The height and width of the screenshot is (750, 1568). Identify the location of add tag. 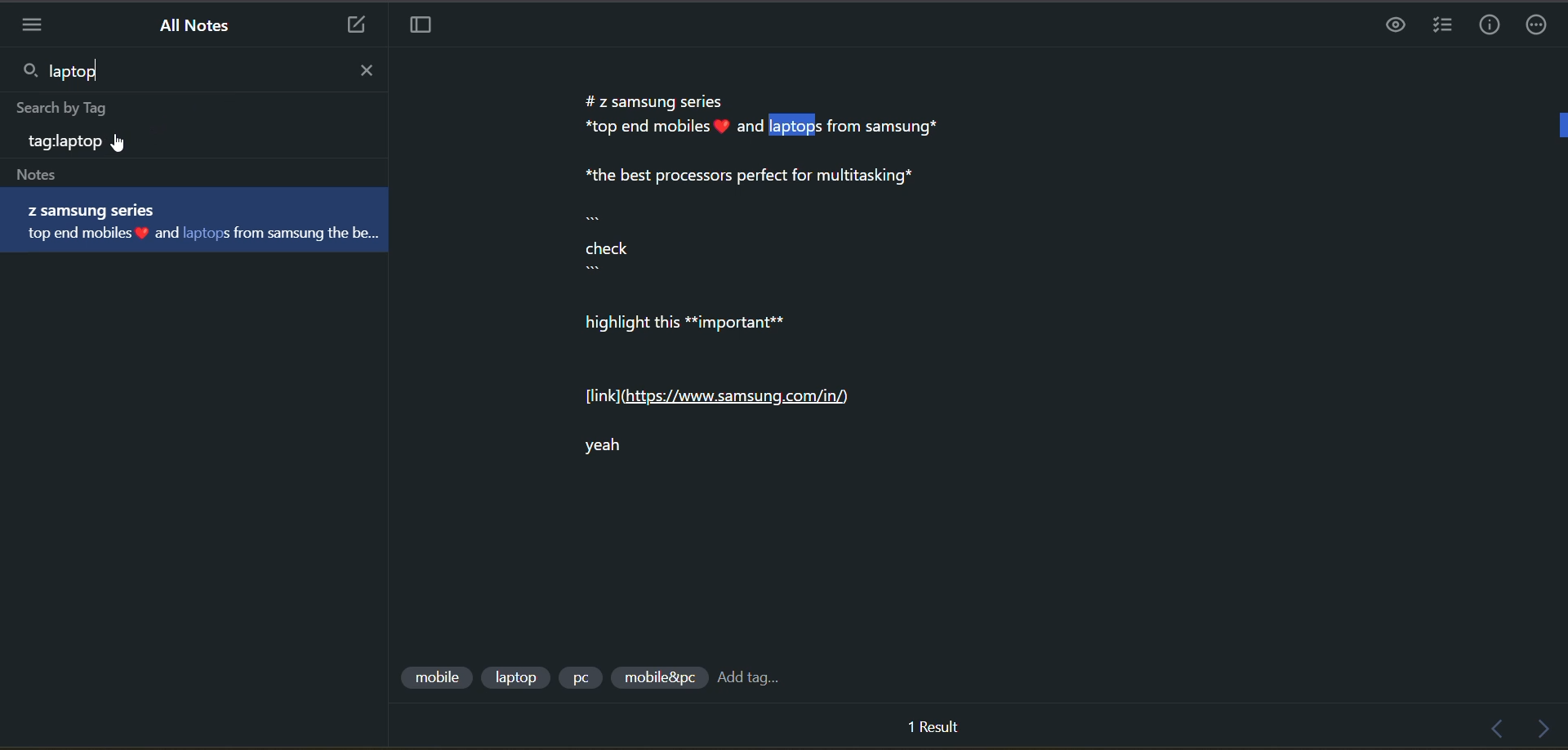
(751, 676).